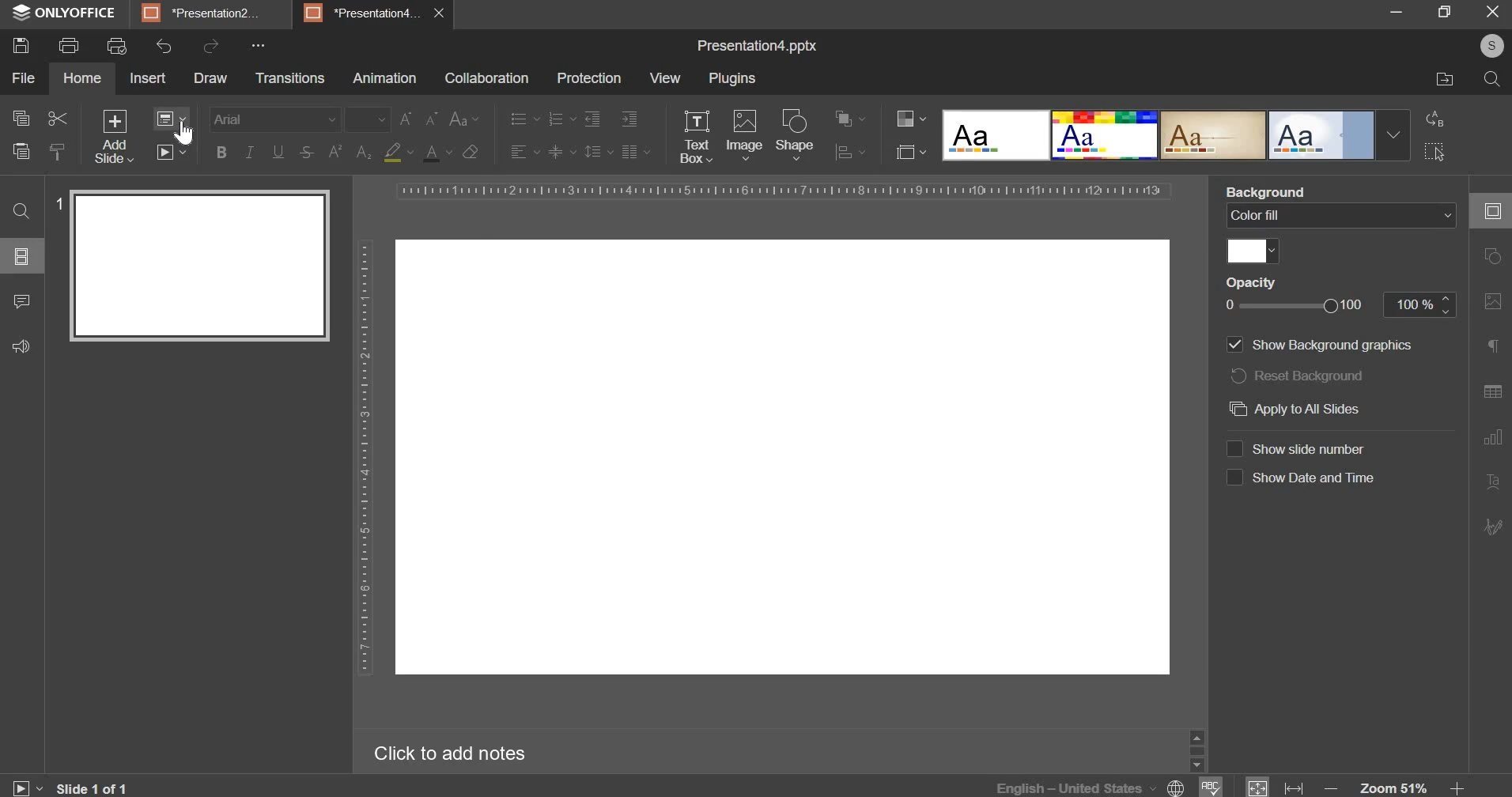 The height and width of the screenshot is (797, 1512). Describe the element at coordinates (57, 119) in the screenshot. I see `cut` at that location.